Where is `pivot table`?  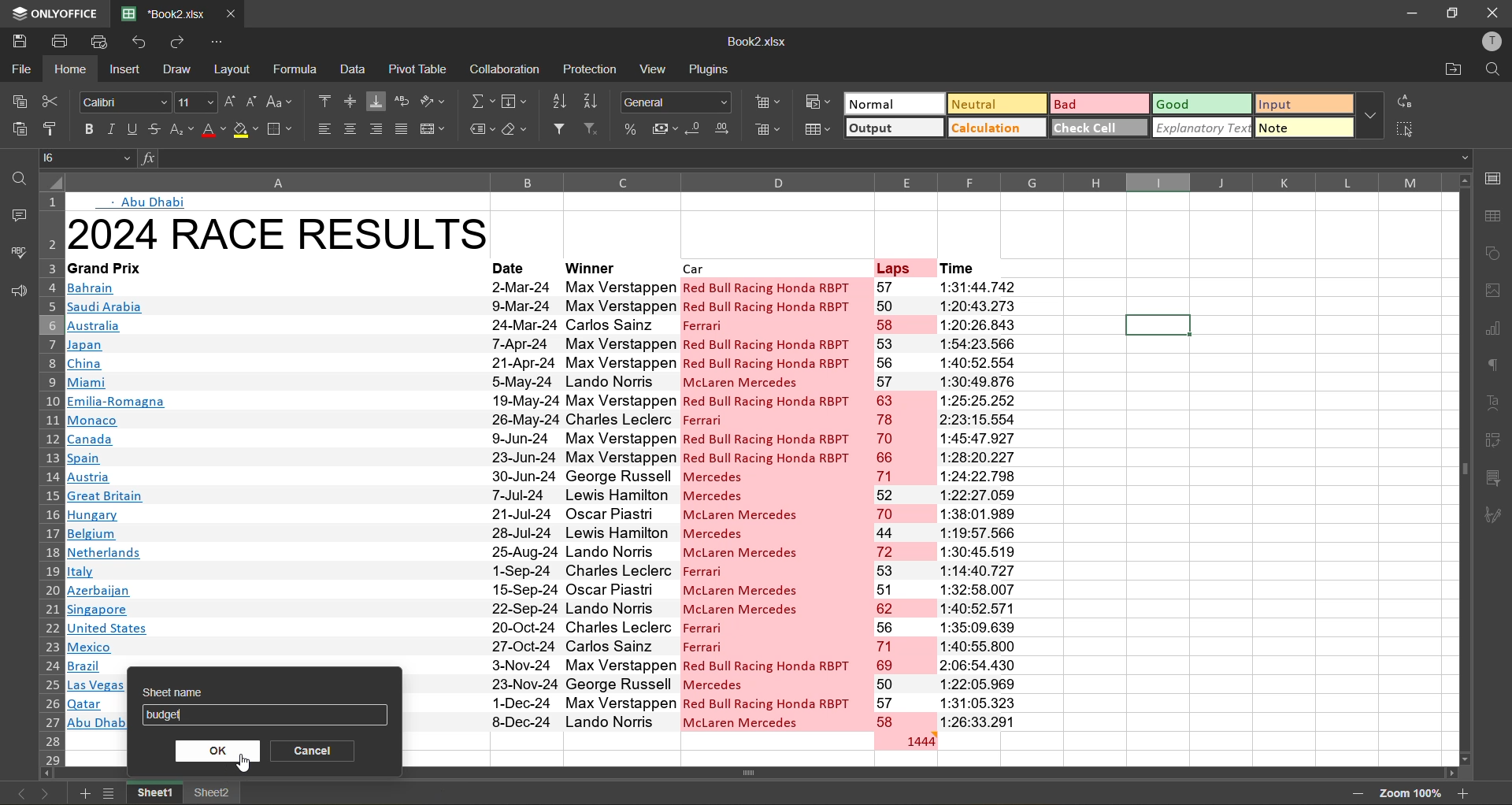 pivot table is located at coordinates (419, 69).